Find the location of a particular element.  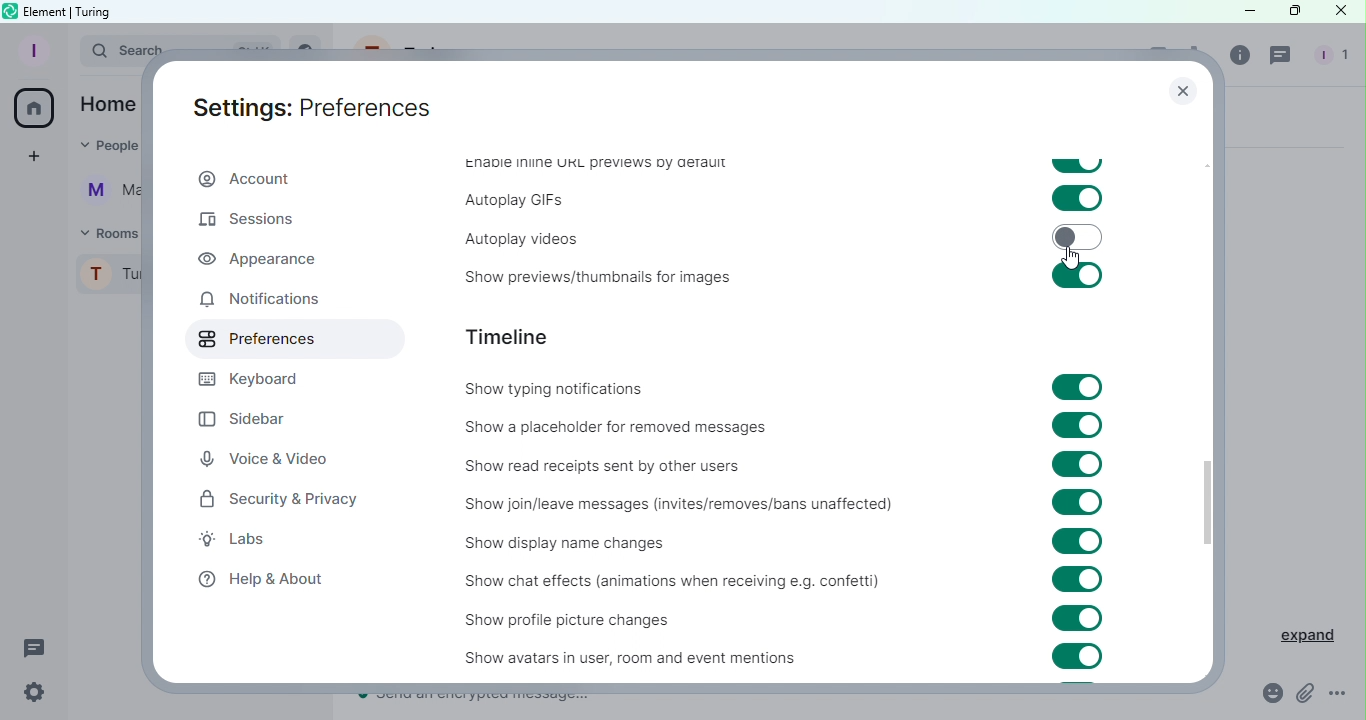

Toggle is located at coordinates (1077, 425).